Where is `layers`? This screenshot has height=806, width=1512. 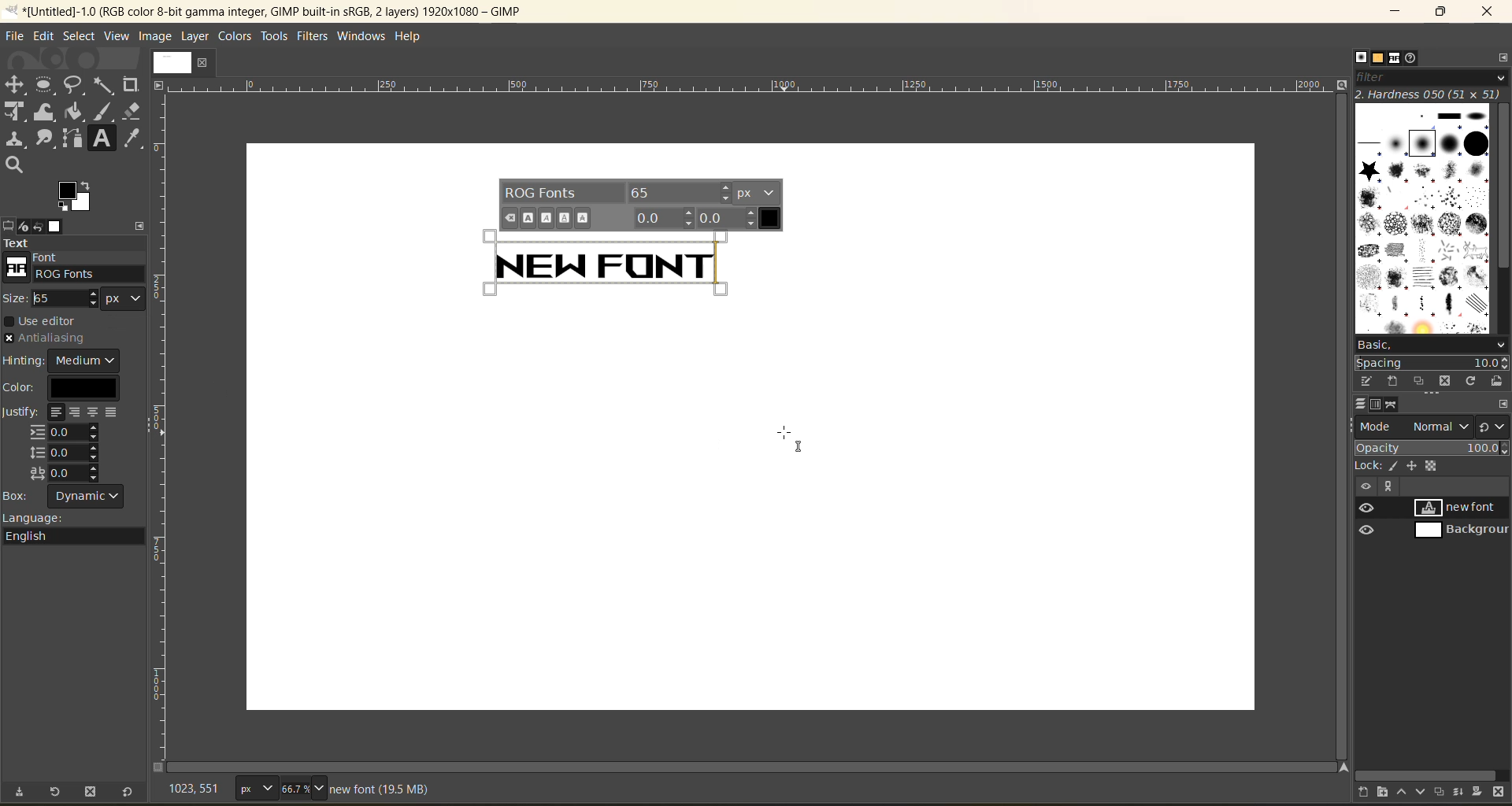 layers is located at coordinates (1361, 405).